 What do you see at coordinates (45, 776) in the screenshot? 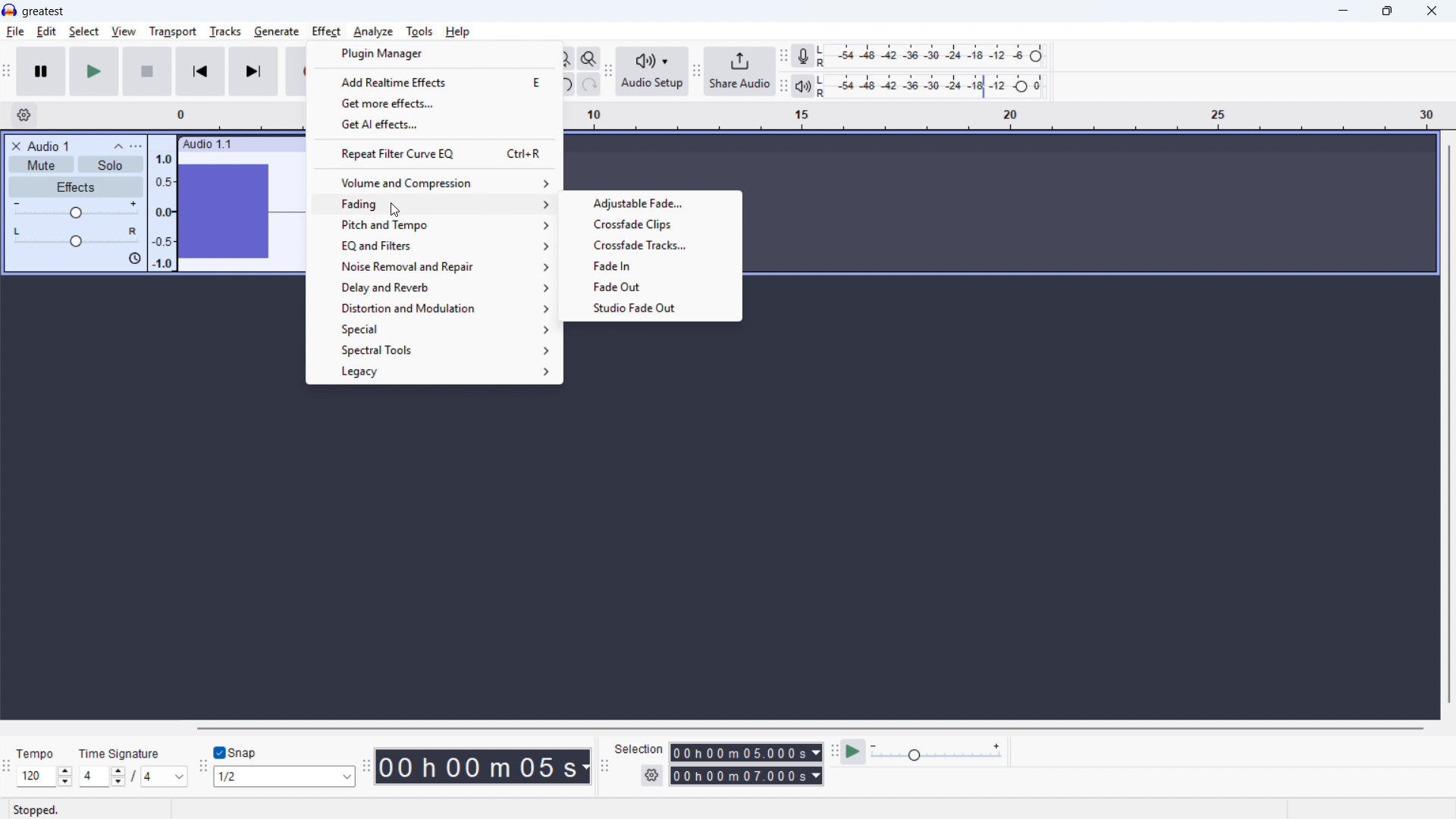
I see `Set tempo ` at bounding box center [45, 776].